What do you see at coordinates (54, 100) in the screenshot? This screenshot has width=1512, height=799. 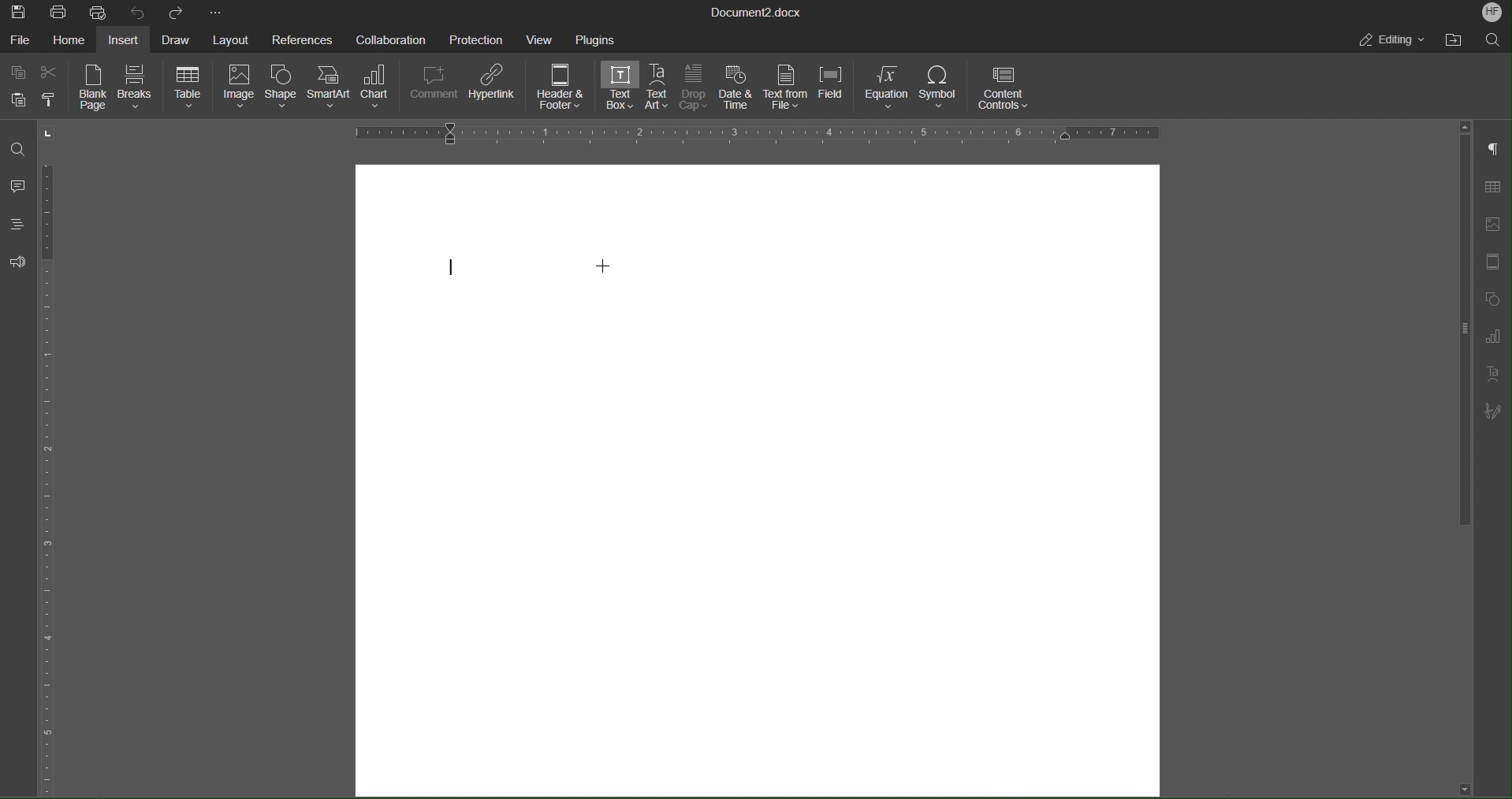 I see `Copy Style` at bounding box center [54, 100].